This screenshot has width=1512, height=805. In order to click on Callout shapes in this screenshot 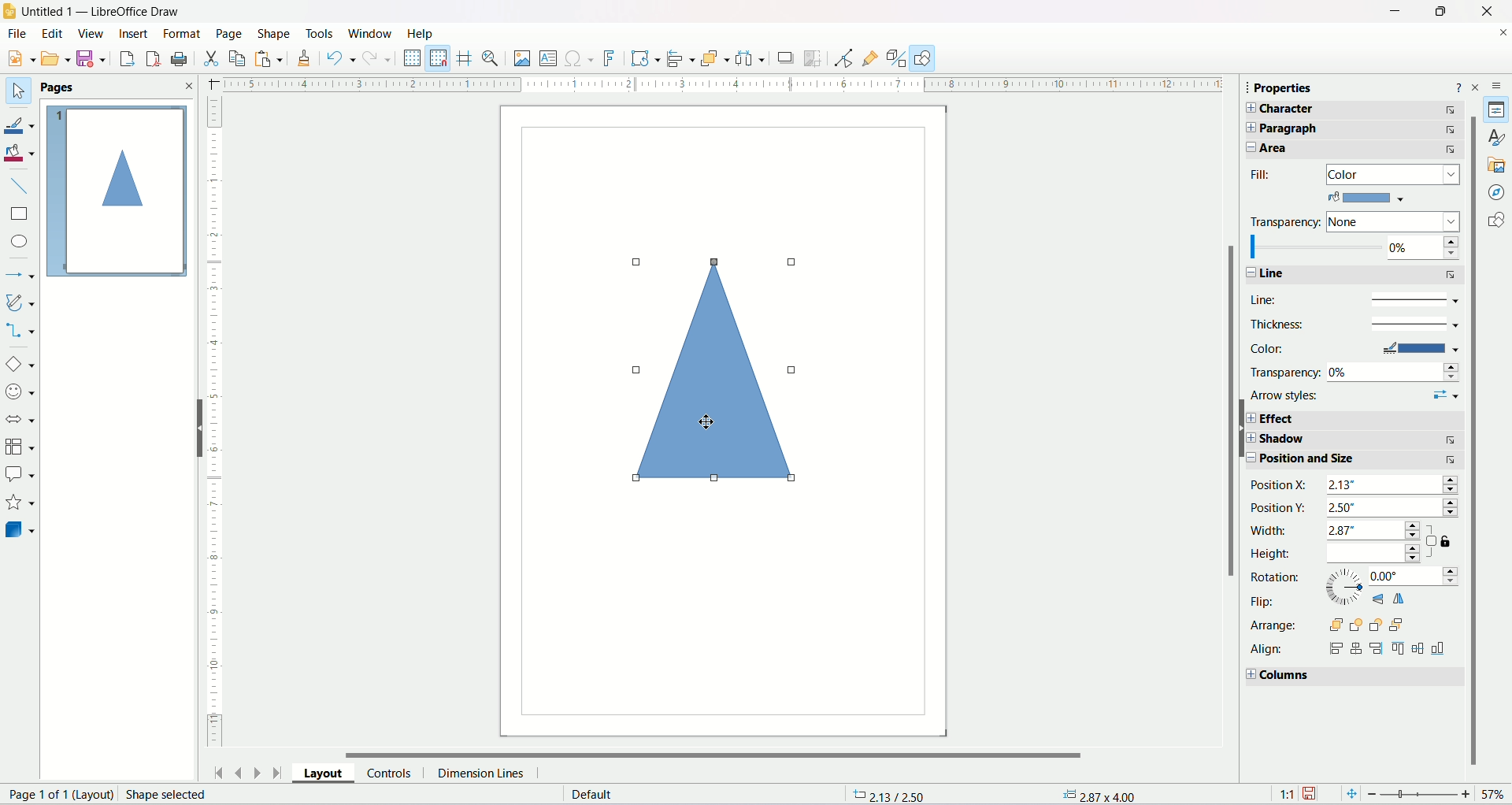, I will do `click(22, 474)`.